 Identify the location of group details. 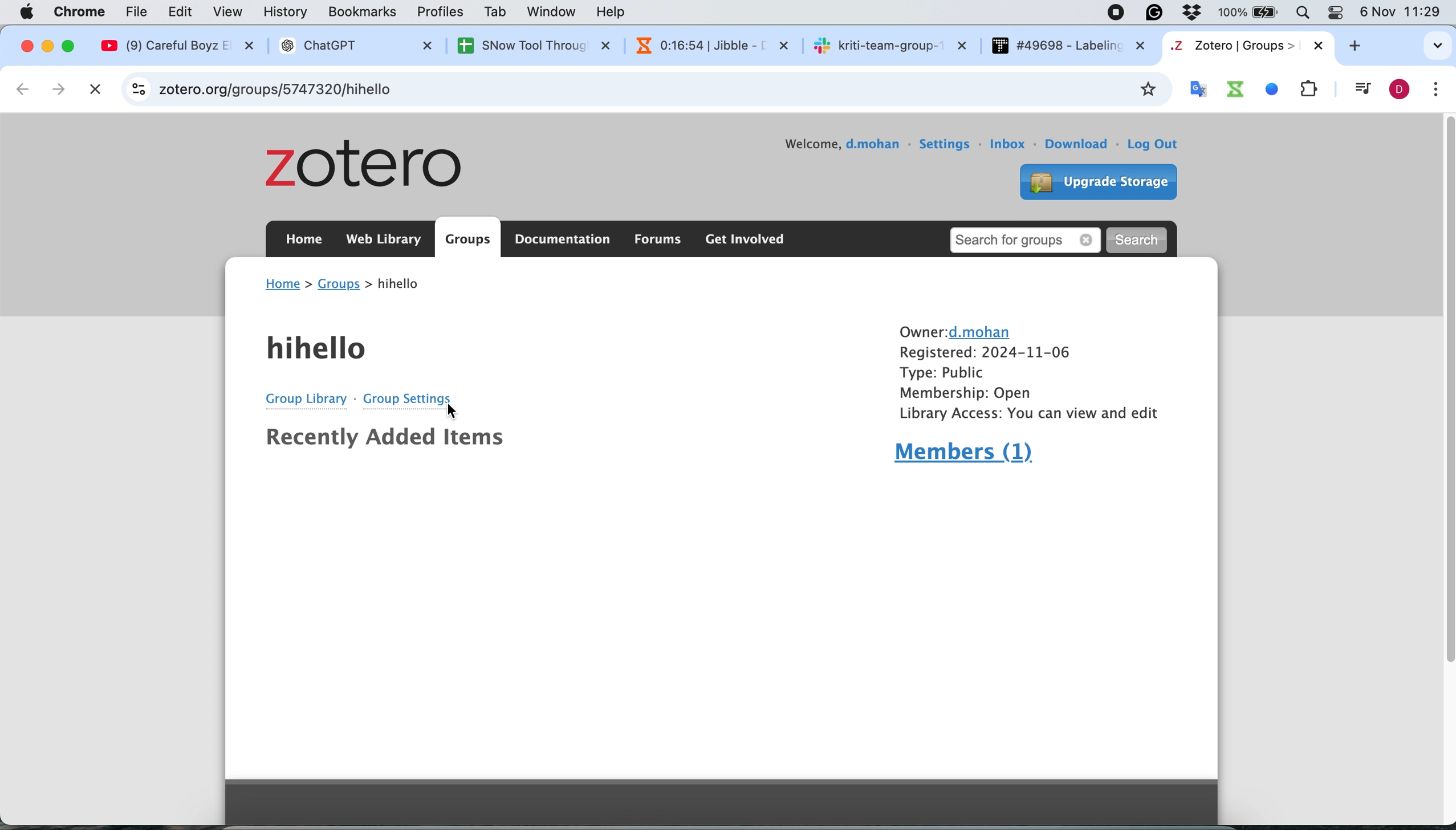
(1026, 372).